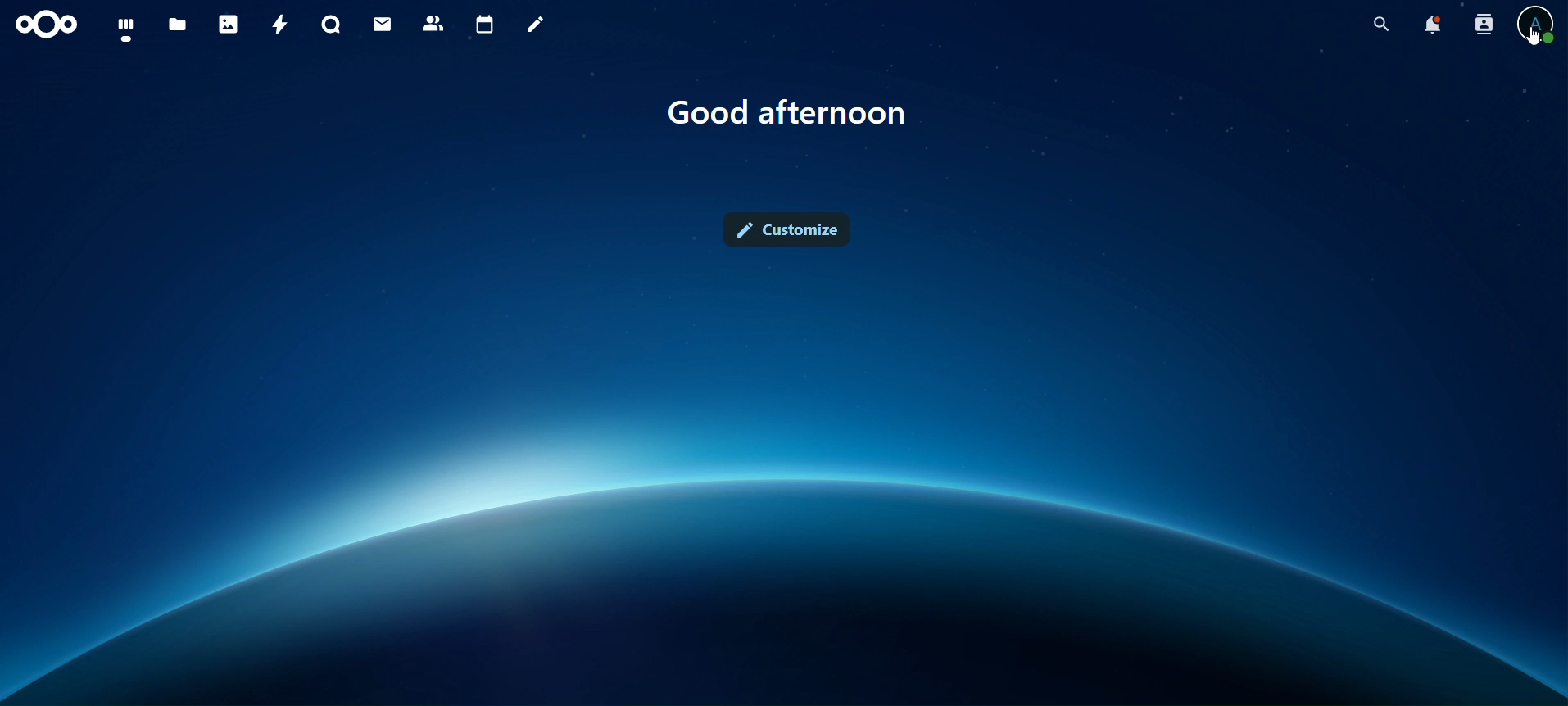 The width and height of the screenshot is (1568, 706). I want to click on customize, so click(785, 228).